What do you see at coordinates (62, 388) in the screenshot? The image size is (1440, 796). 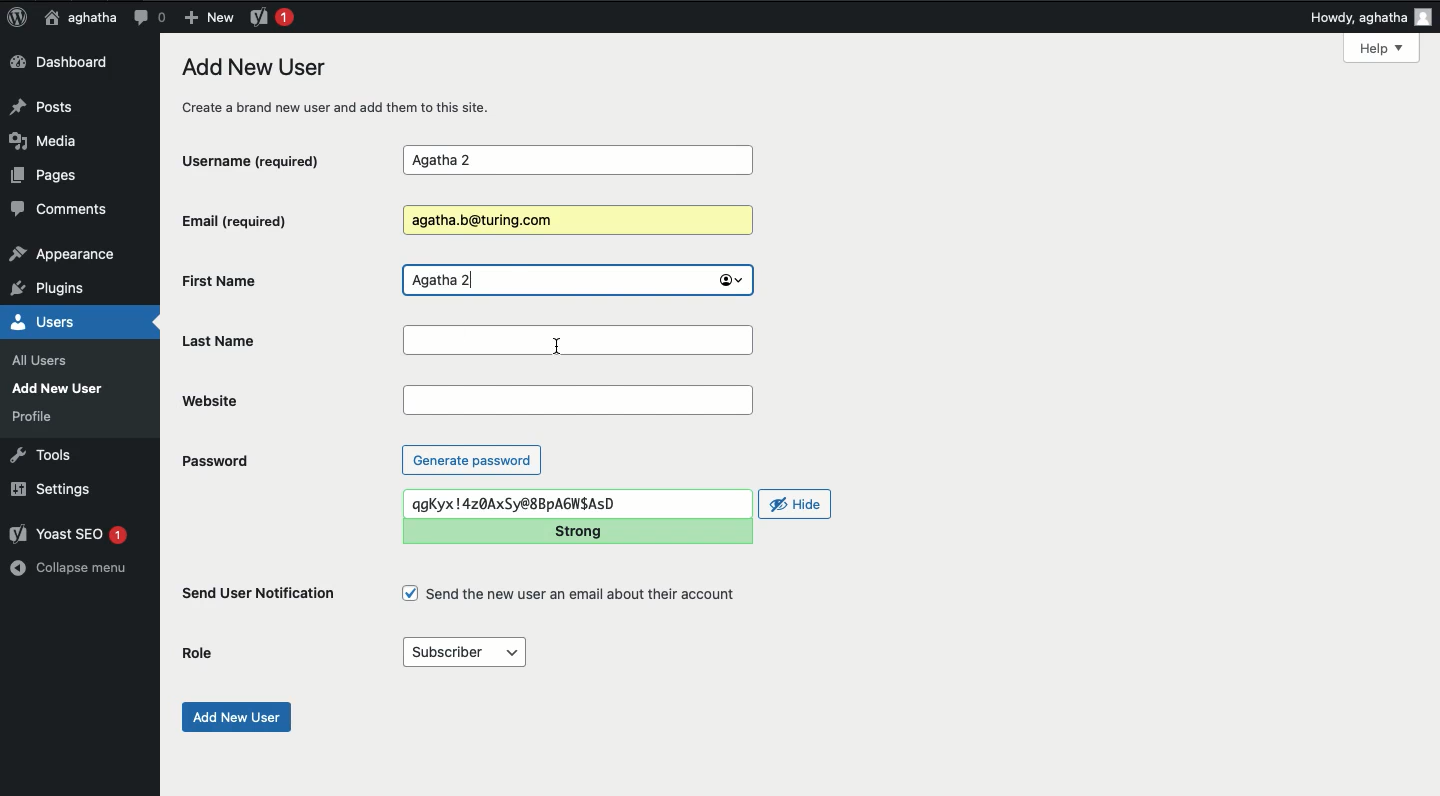 I see `Add New User` at bounding box center [62, 388].